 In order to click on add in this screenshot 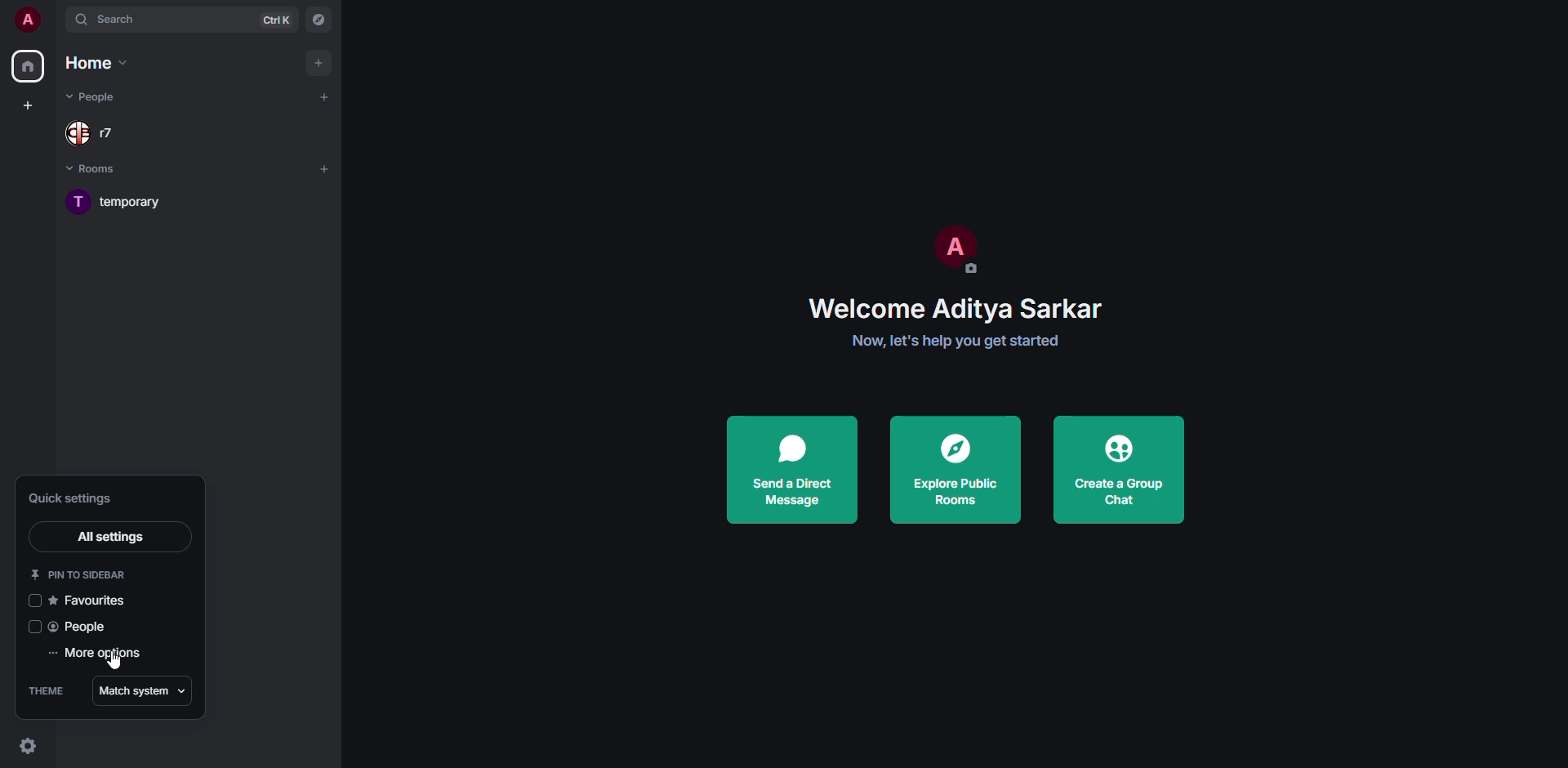, I will do `click(327, 167)`.